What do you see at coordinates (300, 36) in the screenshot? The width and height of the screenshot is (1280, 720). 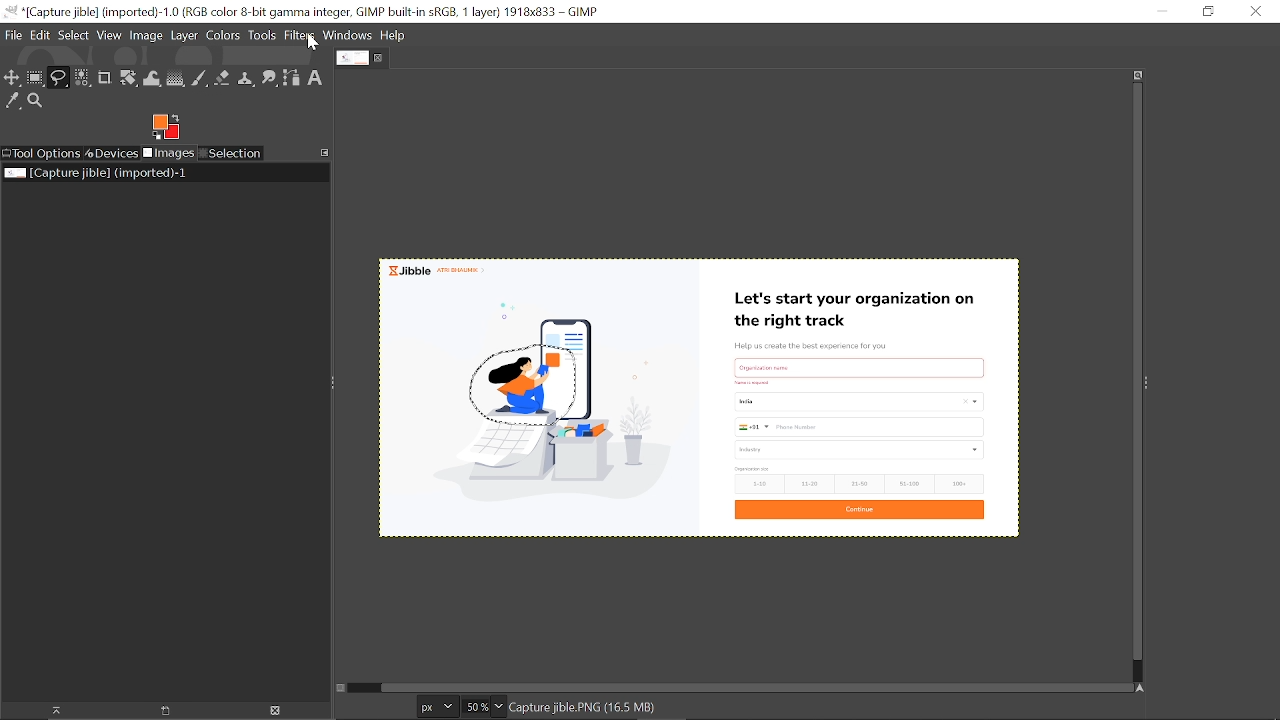 I see `Filters` at bounding box center [300, 36].